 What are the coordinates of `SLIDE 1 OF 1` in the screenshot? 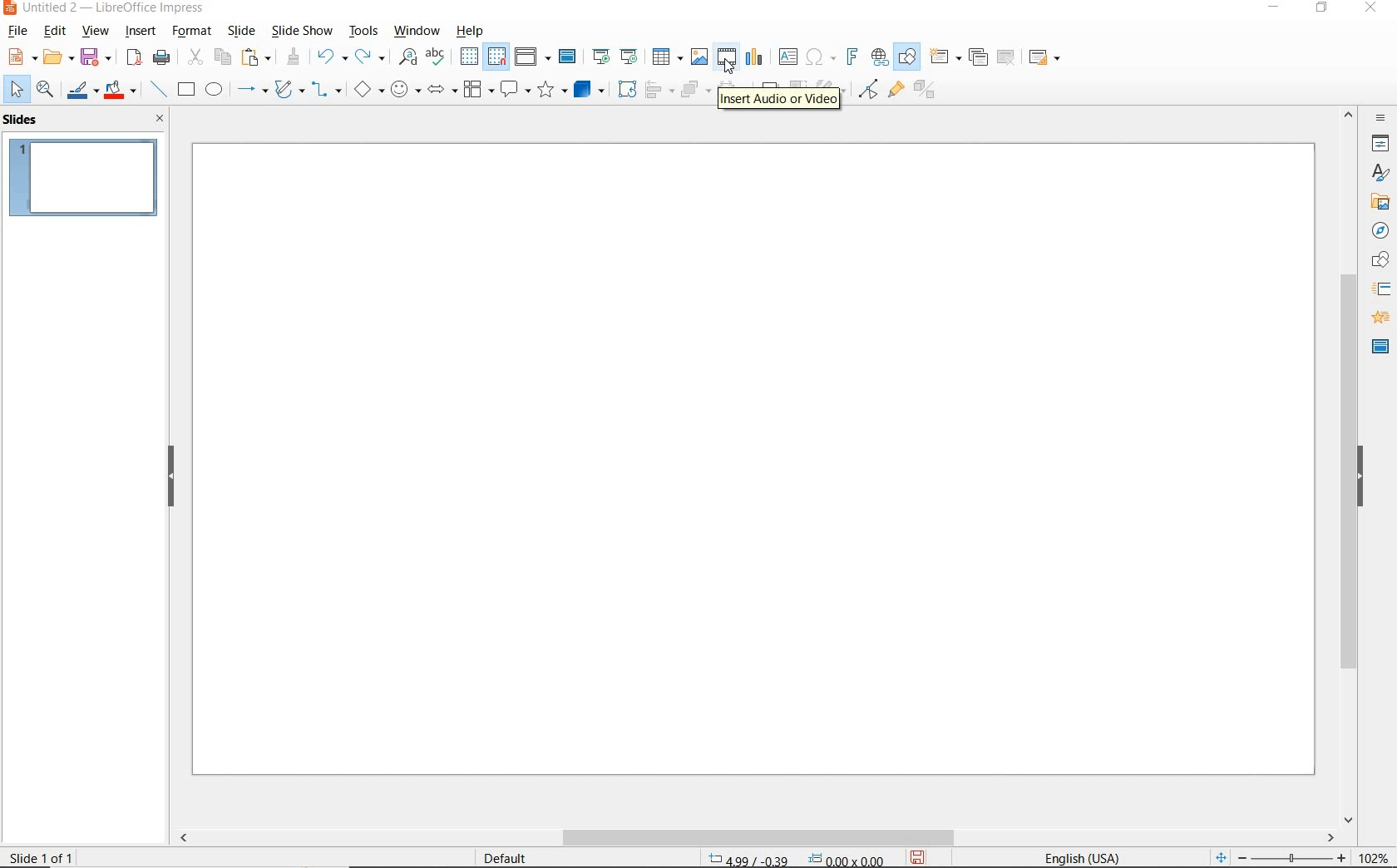 It's located at (45, 856).